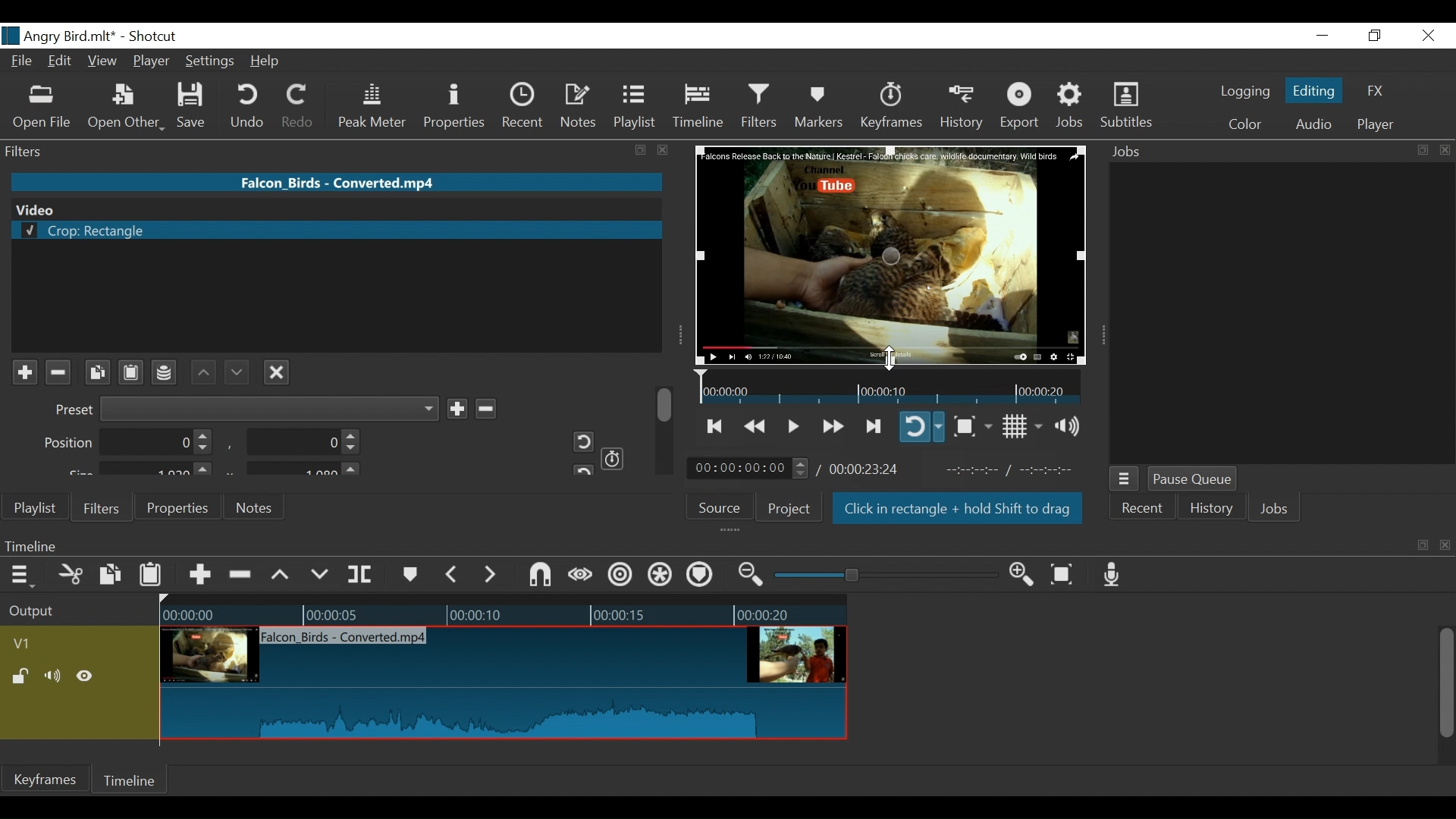 Image resolution: width=1456 pixels, height=819 pixels. I want to click on Remove cut, so click(242, 576).